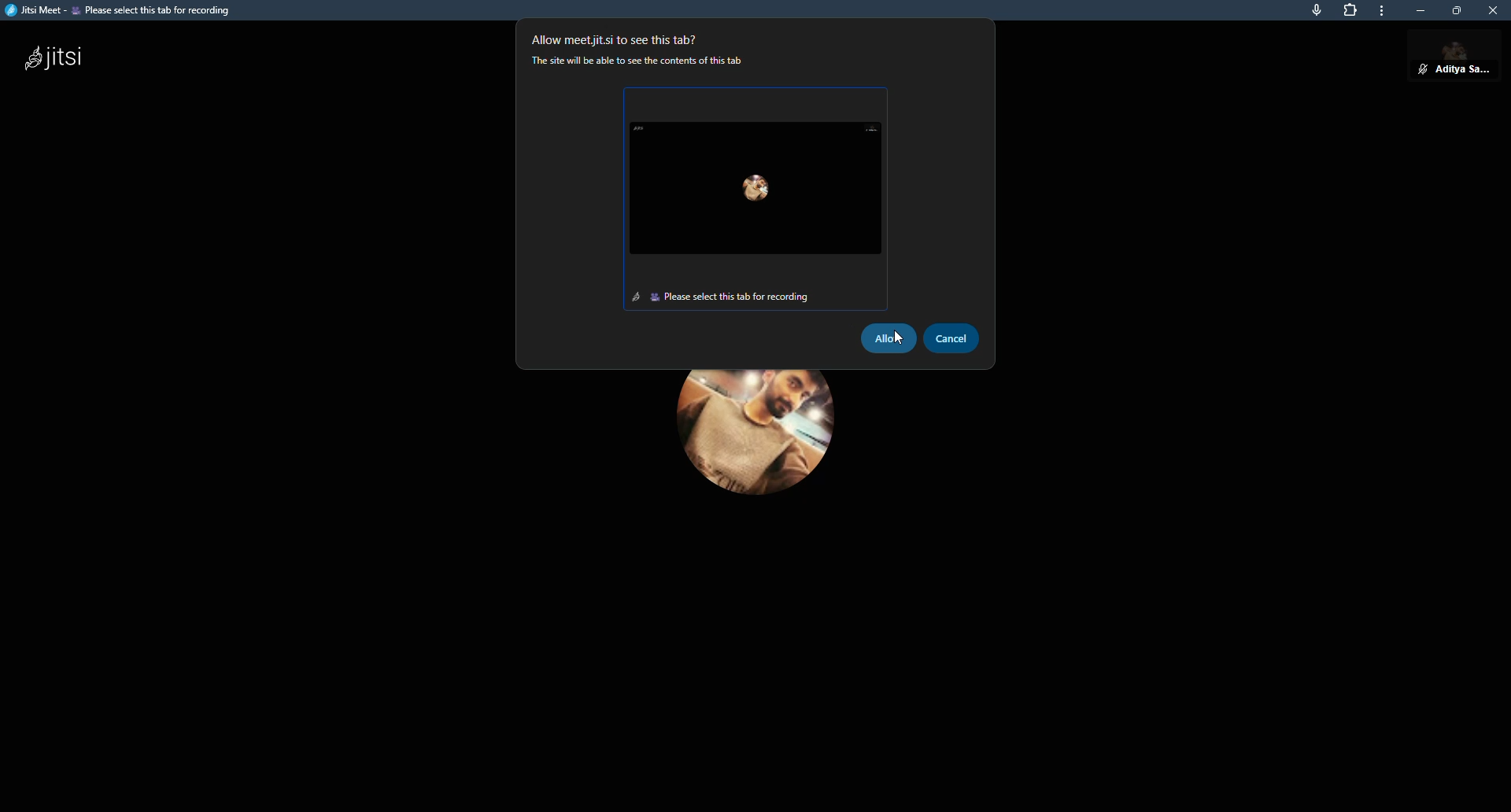  Describe the element at coordinates (643, 62) in the screenshot. I see `‘The site will be able to see the contents of this tab` at that location.